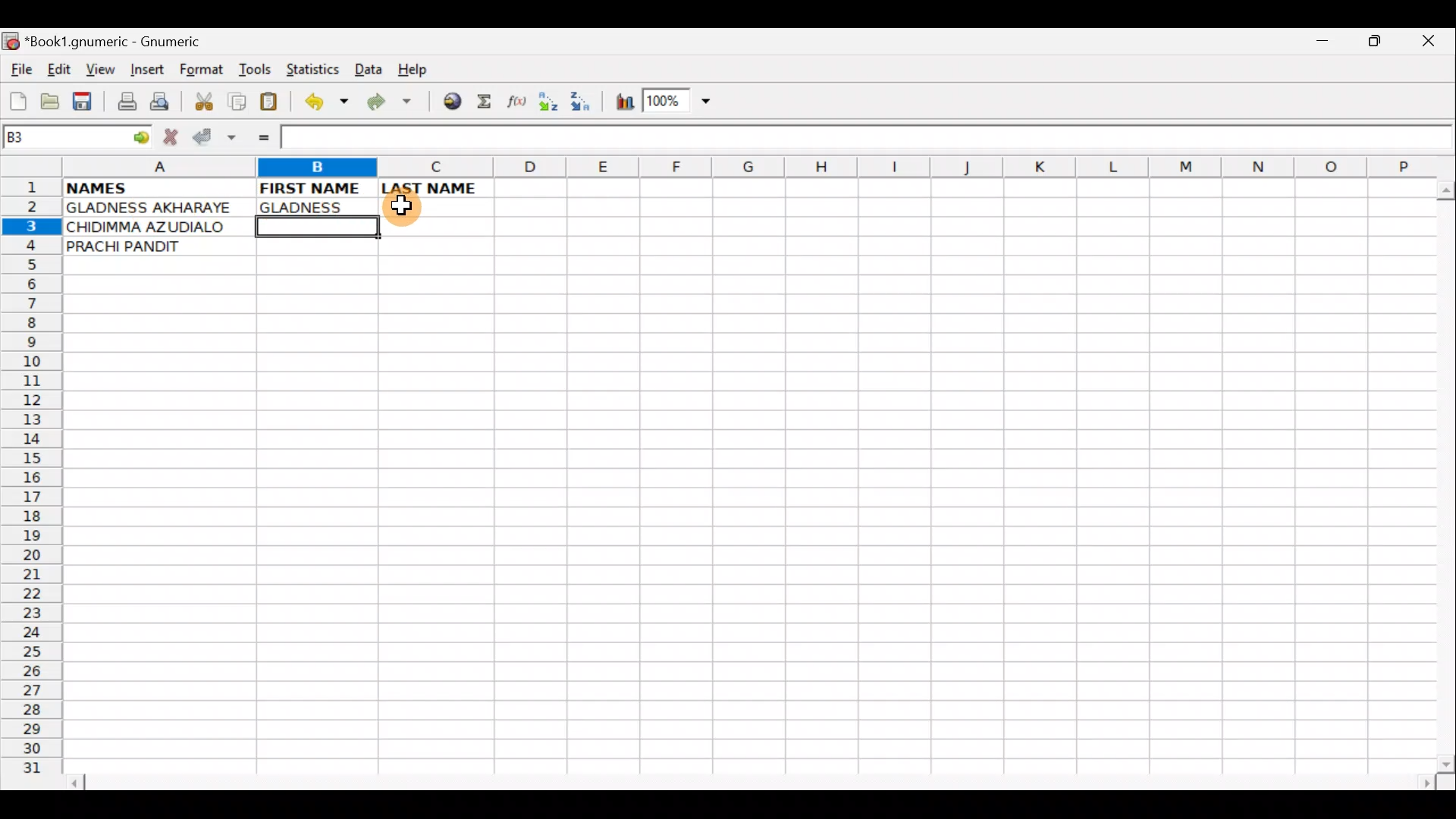 The height and width of the screenshot is (819, 1456). What do you see at coordinates (17, 99) in the screenshot?
I see `Create new workbook` at bounding box center [17, 99].